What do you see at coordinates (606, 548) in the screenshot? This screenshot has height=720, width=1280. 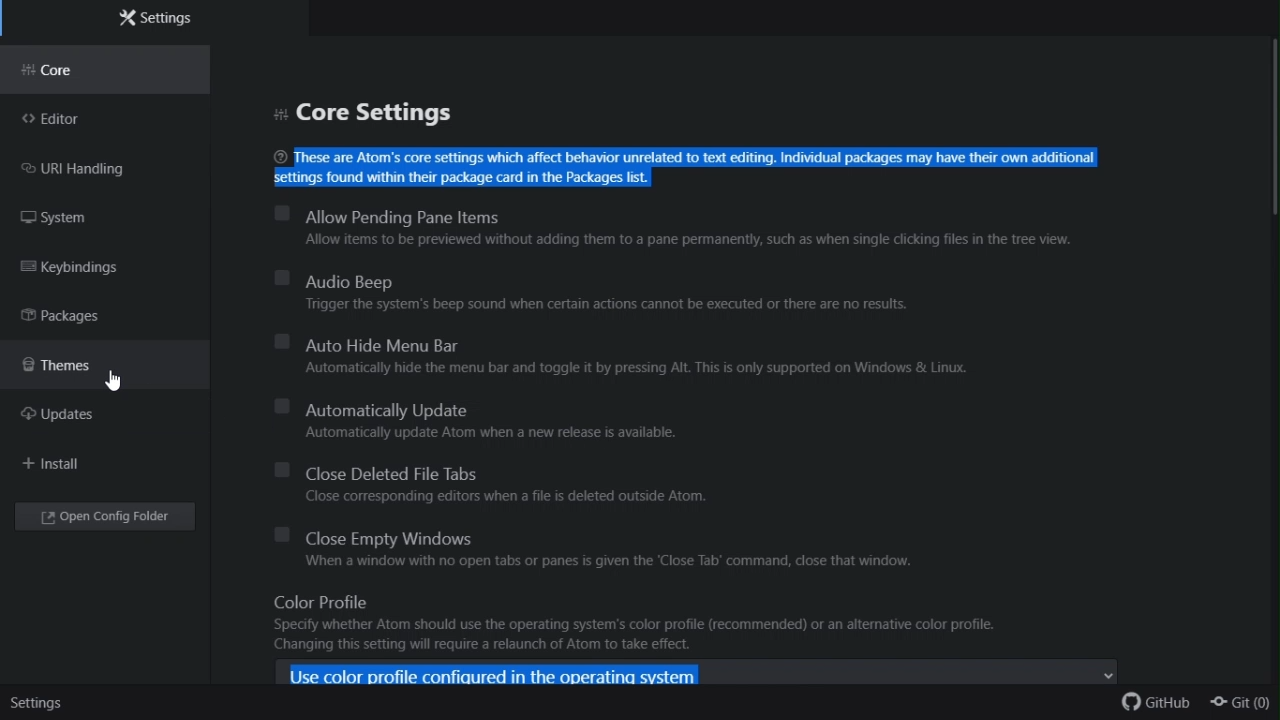 I see `Close empty Windows` at bounding box center [606, 548].